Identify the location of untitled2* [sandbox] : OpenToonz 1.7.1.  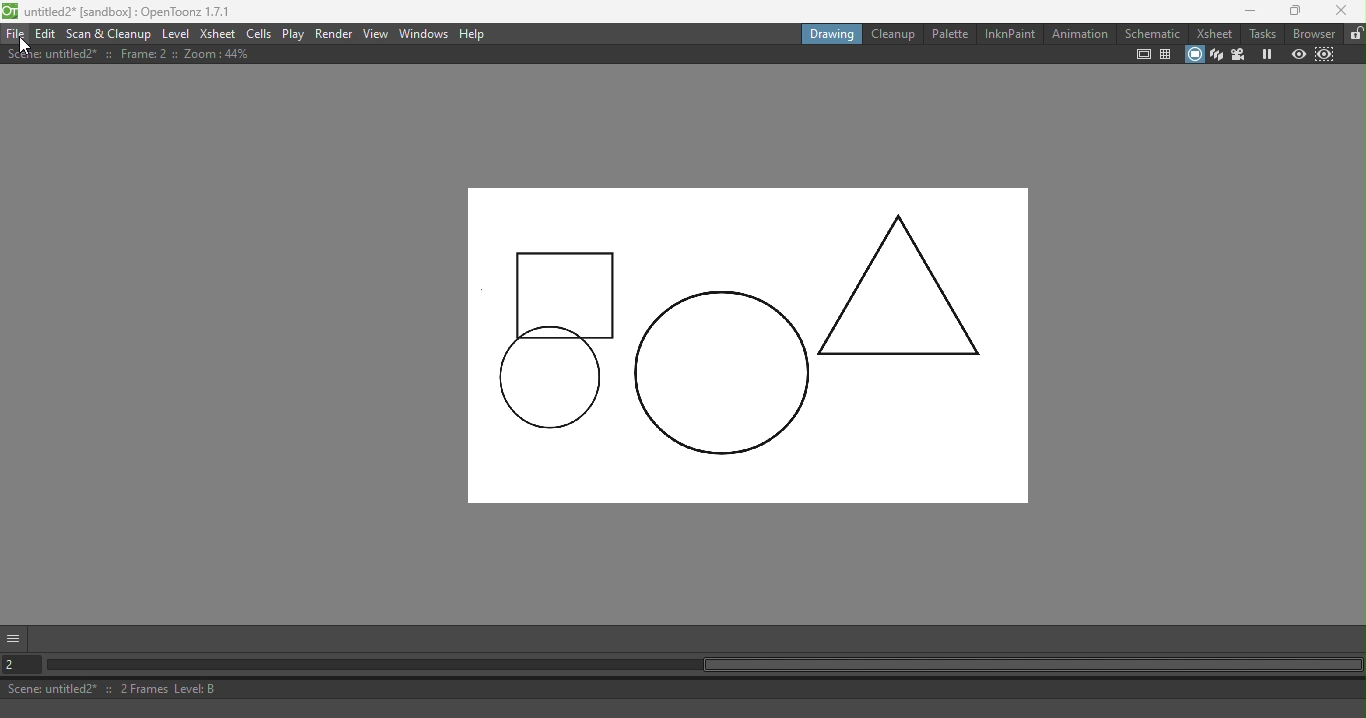
(118, 11).